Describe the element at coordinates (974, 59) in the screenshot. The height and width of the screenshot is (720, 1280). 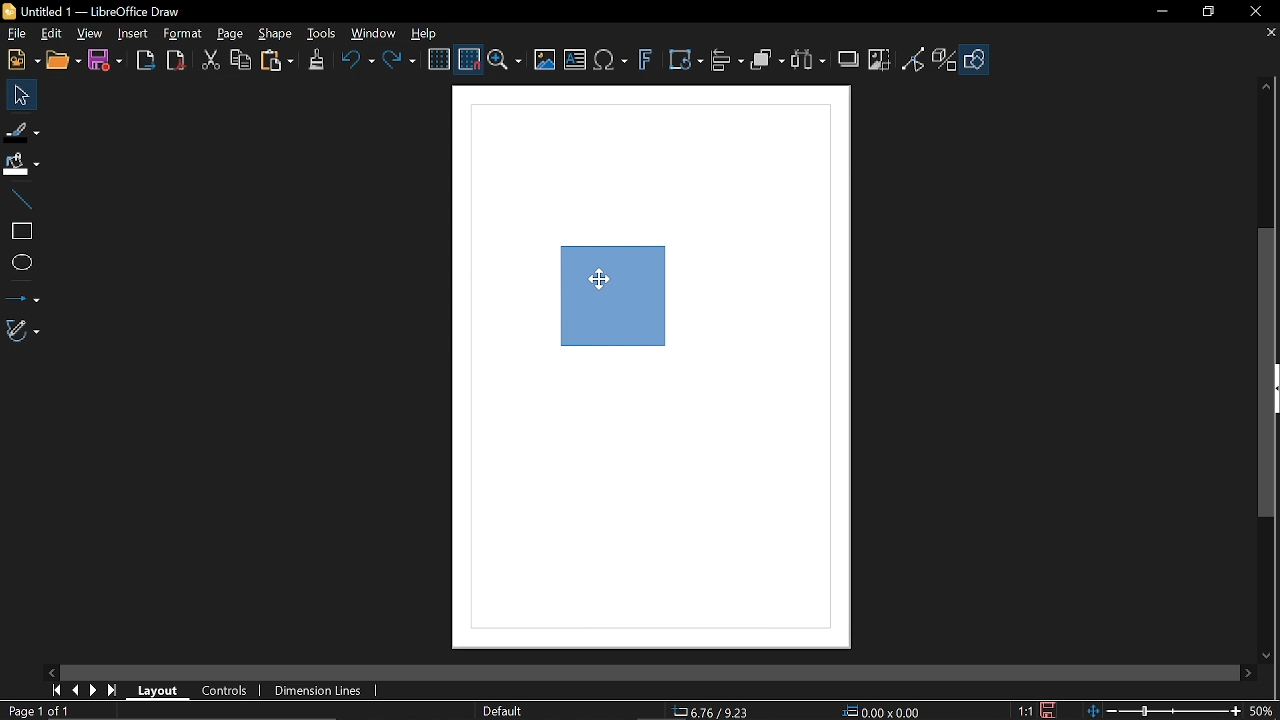
I see `Shapes` at that location.